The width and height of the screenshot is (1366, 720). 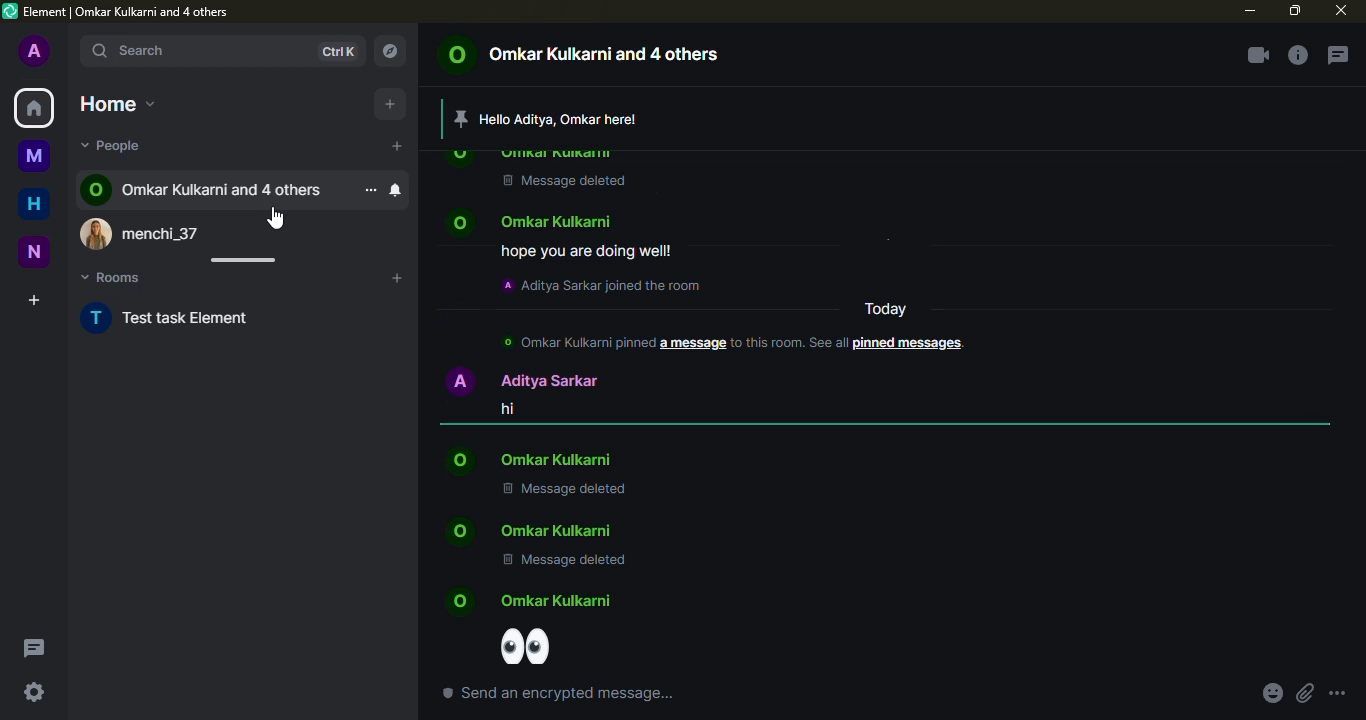 I want to click on 1 unread message, so click(x=368, y=145).